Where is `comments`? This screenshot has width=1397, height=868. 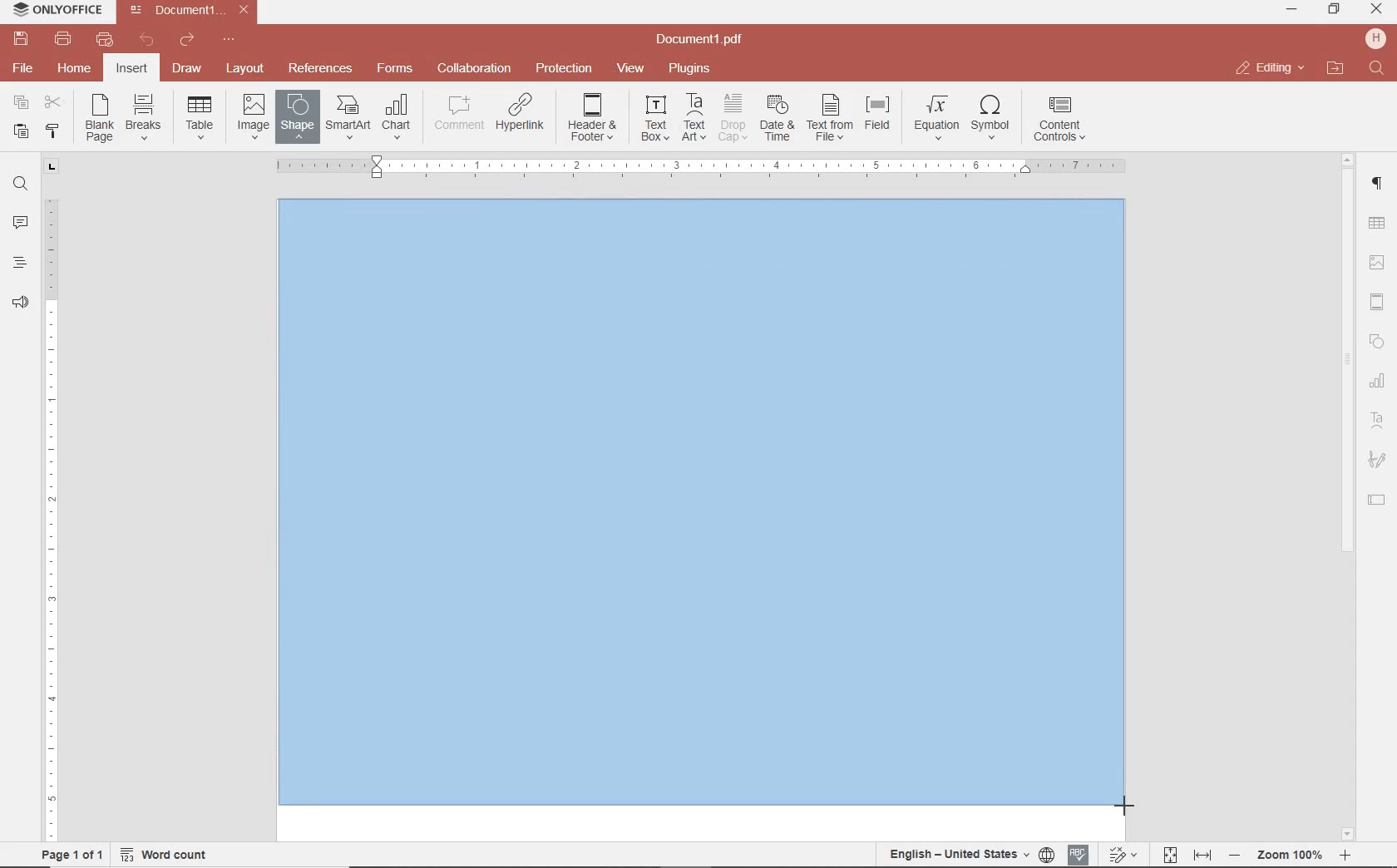
comments is located at coordinates (20, 224).